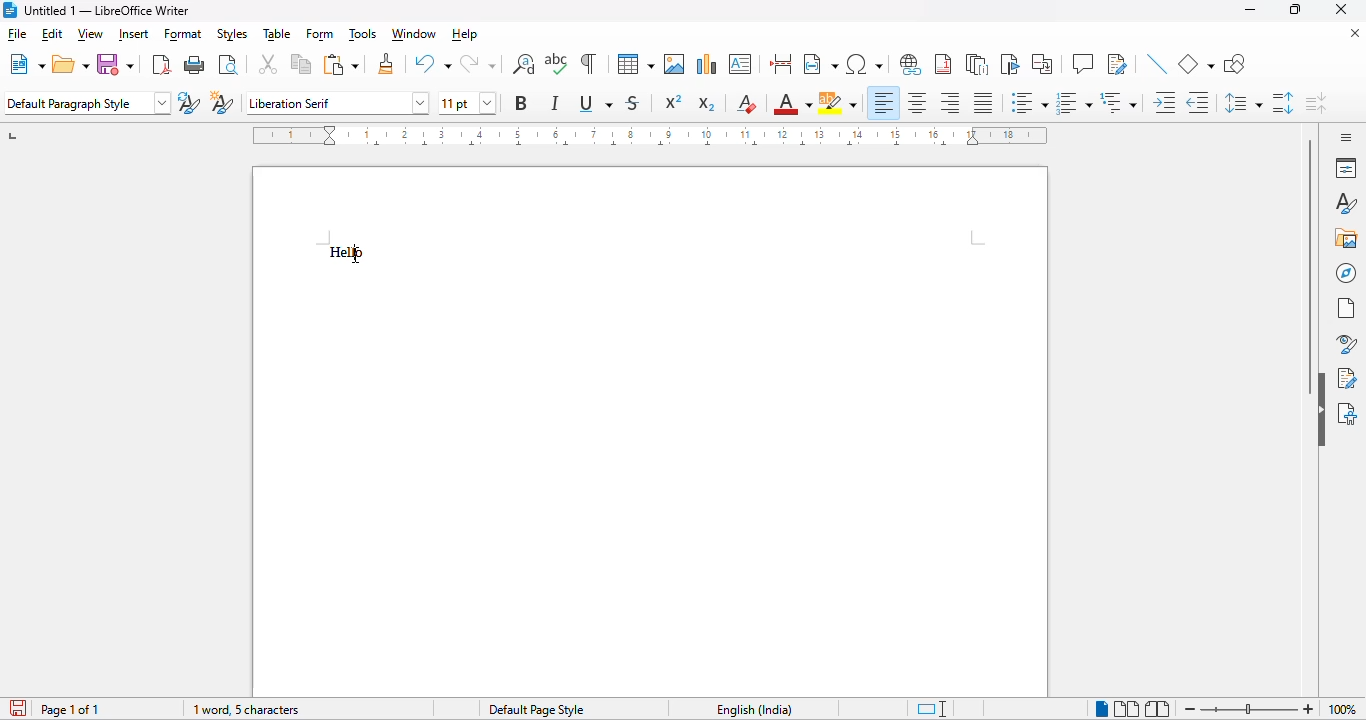  What do you see at coordinates (91, 34) in the screenshot?
I see `view` at bounding box center [91, 34].